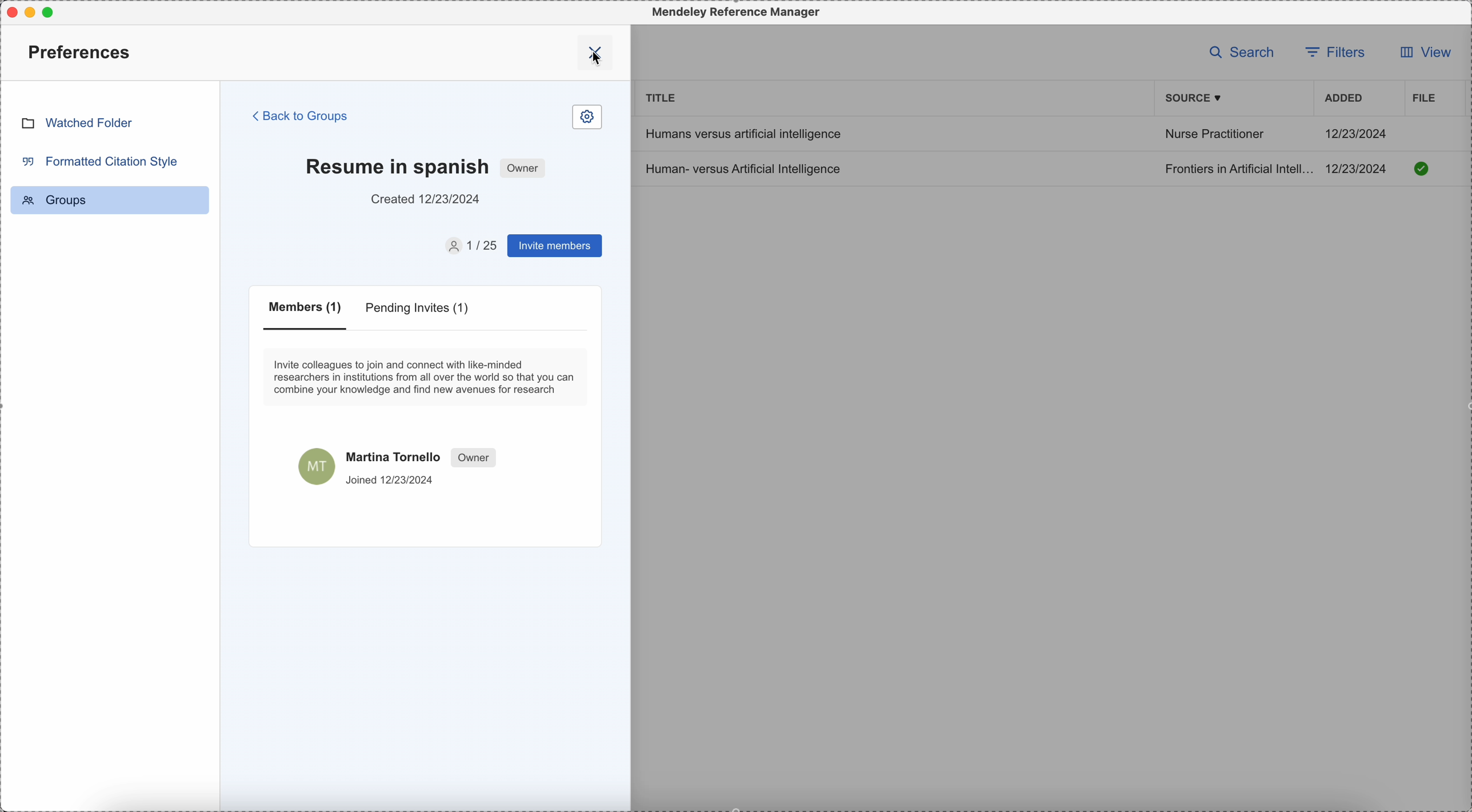  Describe the element at coordinates (1242, 51) in the screenshot. I see `search` at that location.